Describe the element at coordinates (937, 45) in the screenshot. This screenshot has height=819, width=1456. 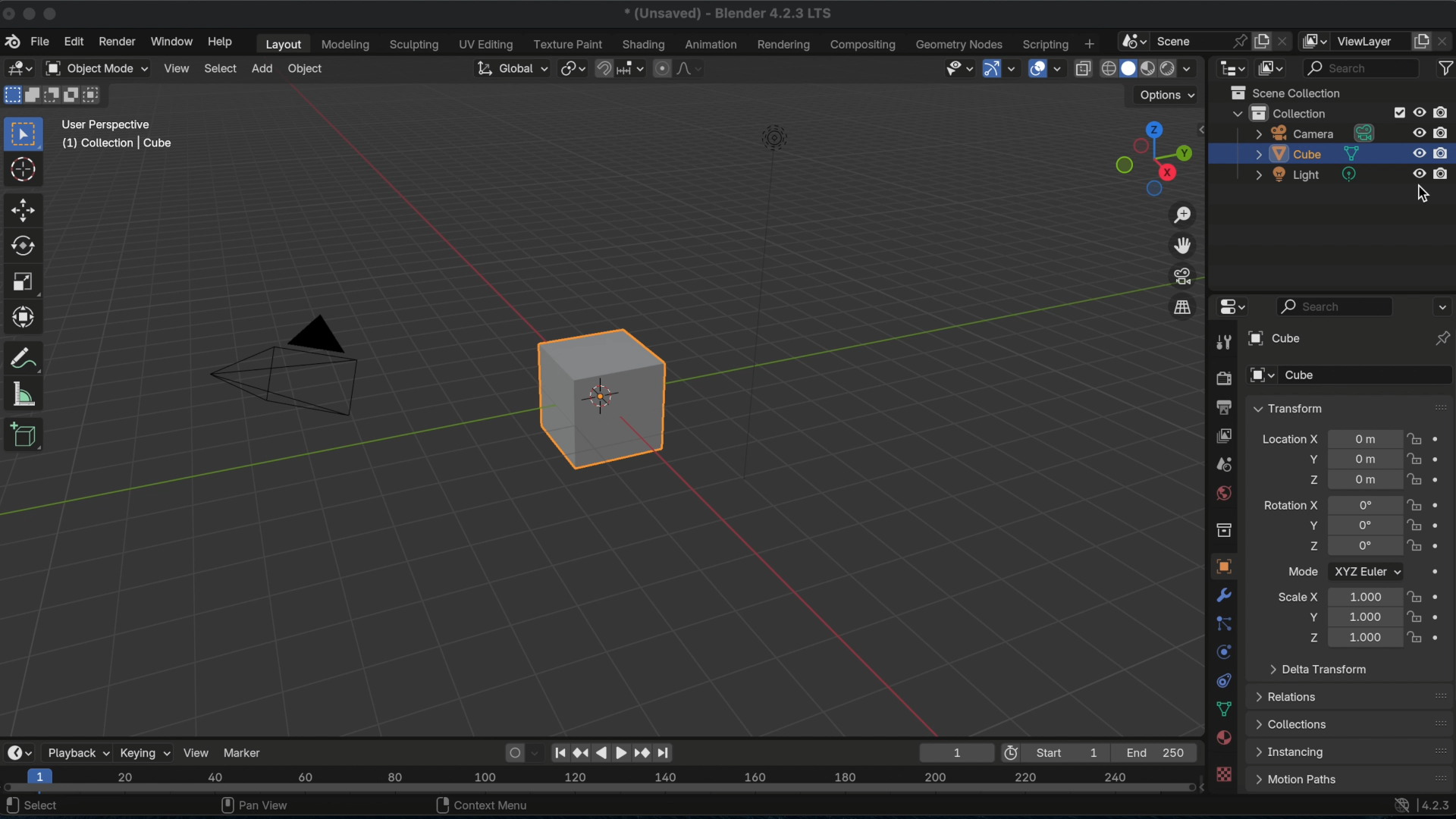
I see `geometry nodes` at that location.